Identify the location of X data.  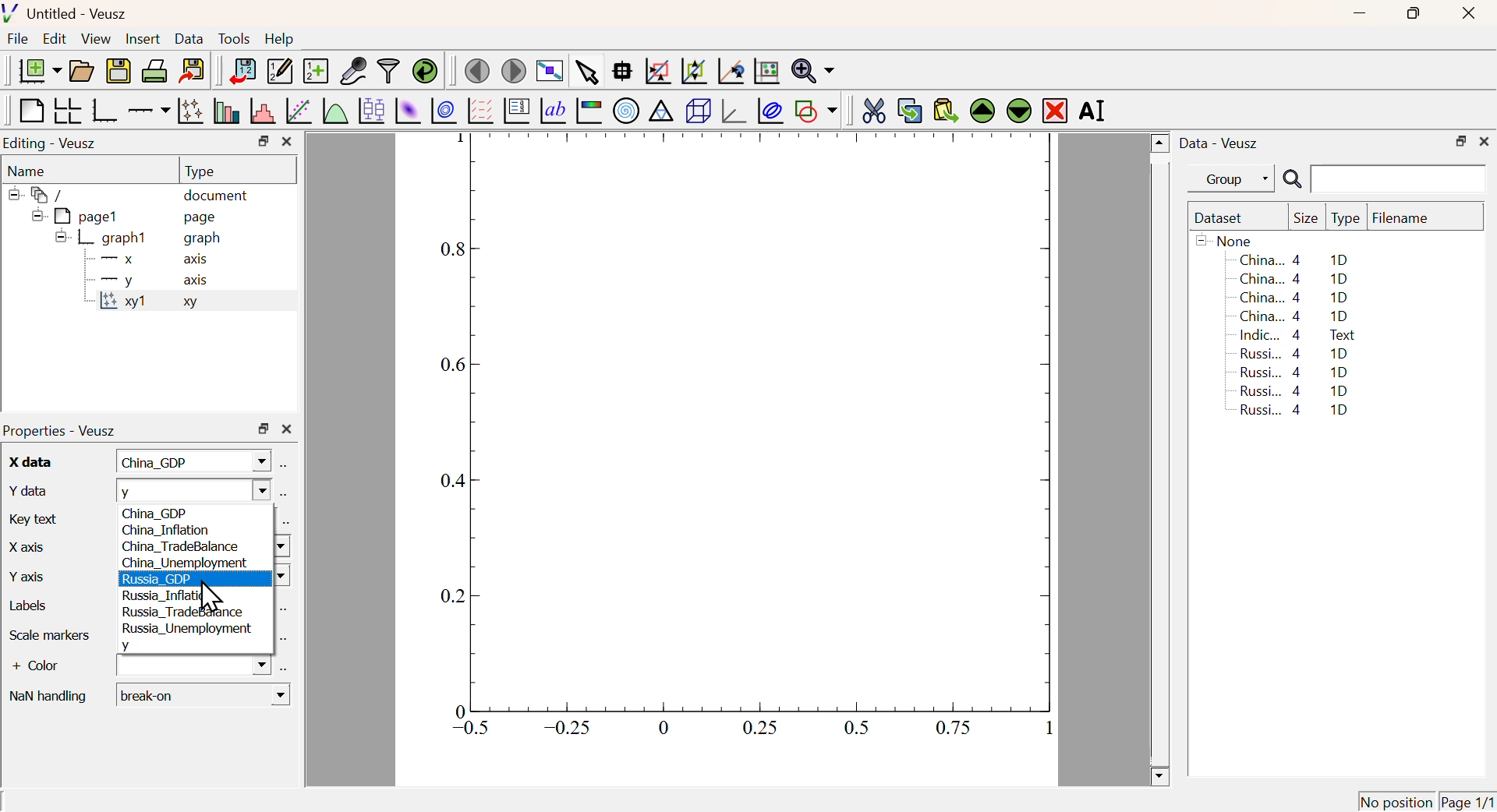
(27, 460).